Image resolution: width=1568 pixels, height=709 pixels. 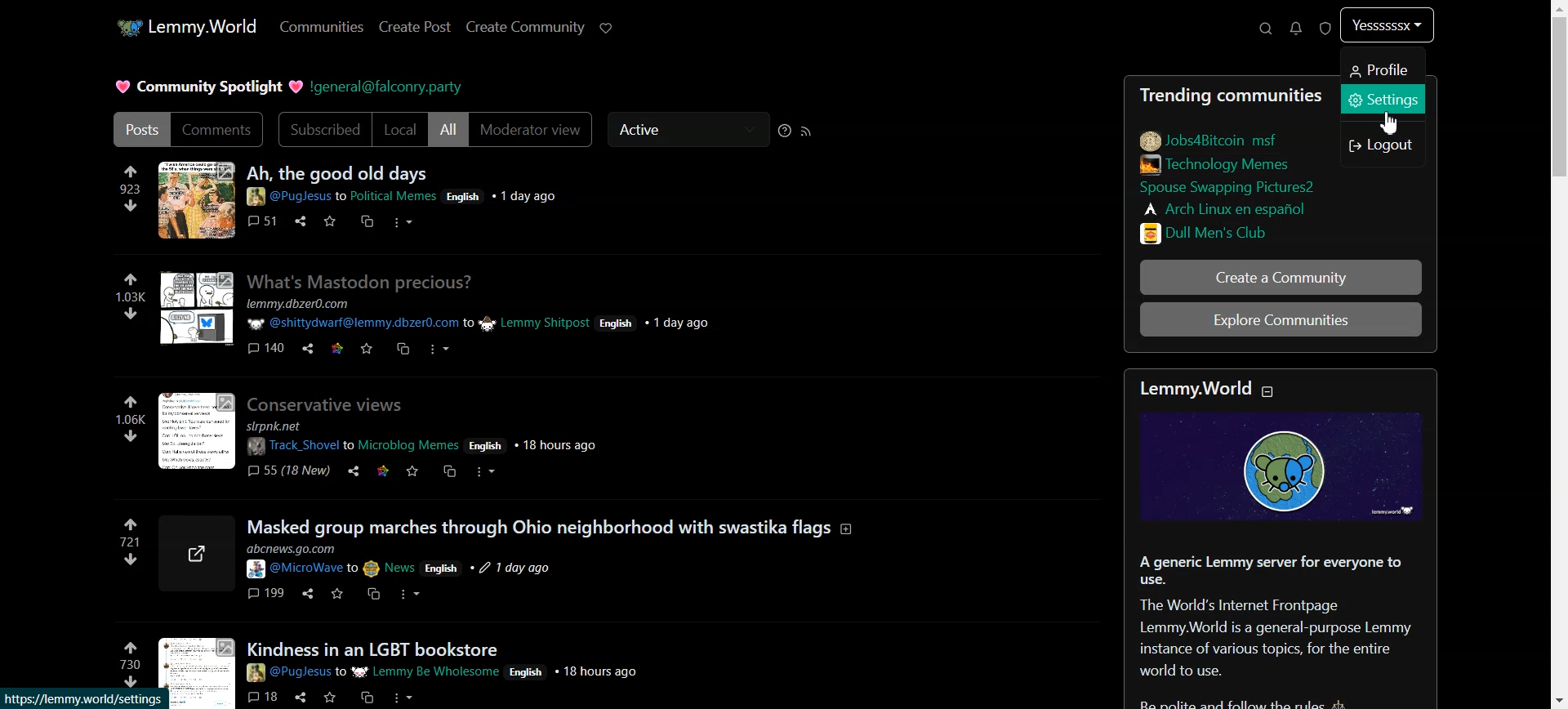 What do you see at coordinates (303, 697) in the screenshot?
I see `share` at bounding box center [303, 697].